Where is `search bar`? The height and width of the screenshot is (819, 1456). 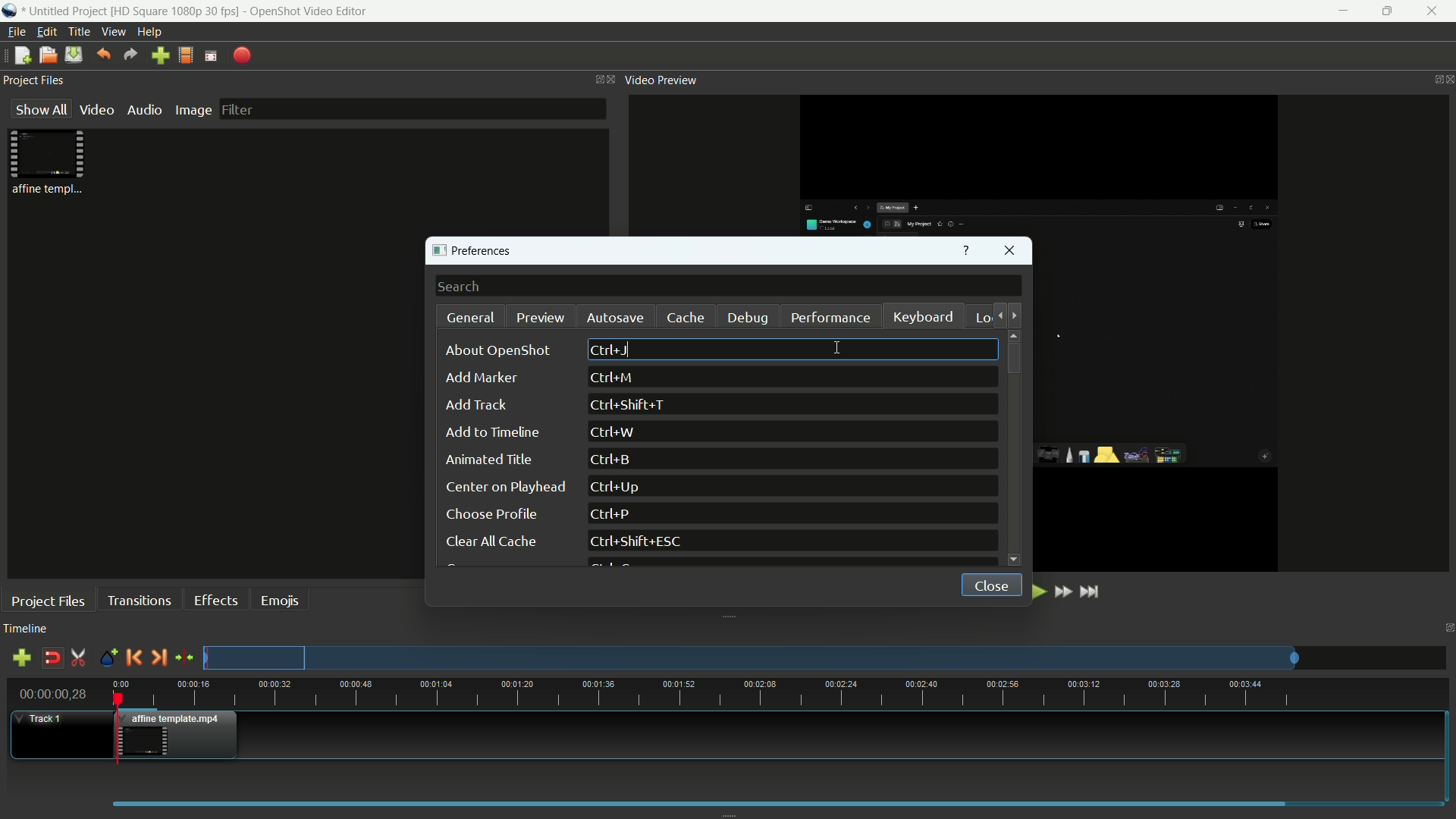 search bar is located at coordinates (729, 287).